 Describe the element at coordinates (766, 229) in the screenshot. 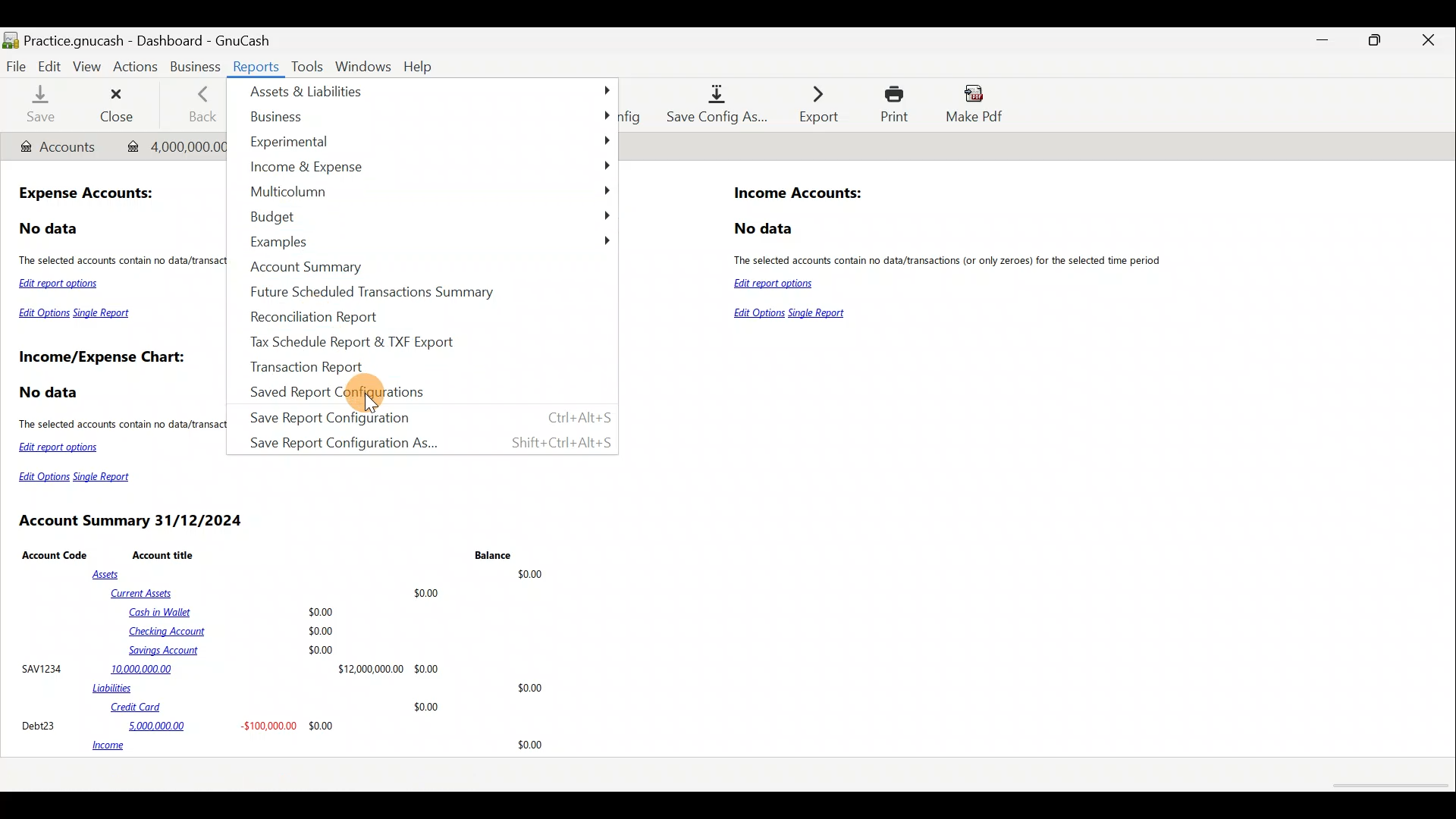

I see `No data` at that location.